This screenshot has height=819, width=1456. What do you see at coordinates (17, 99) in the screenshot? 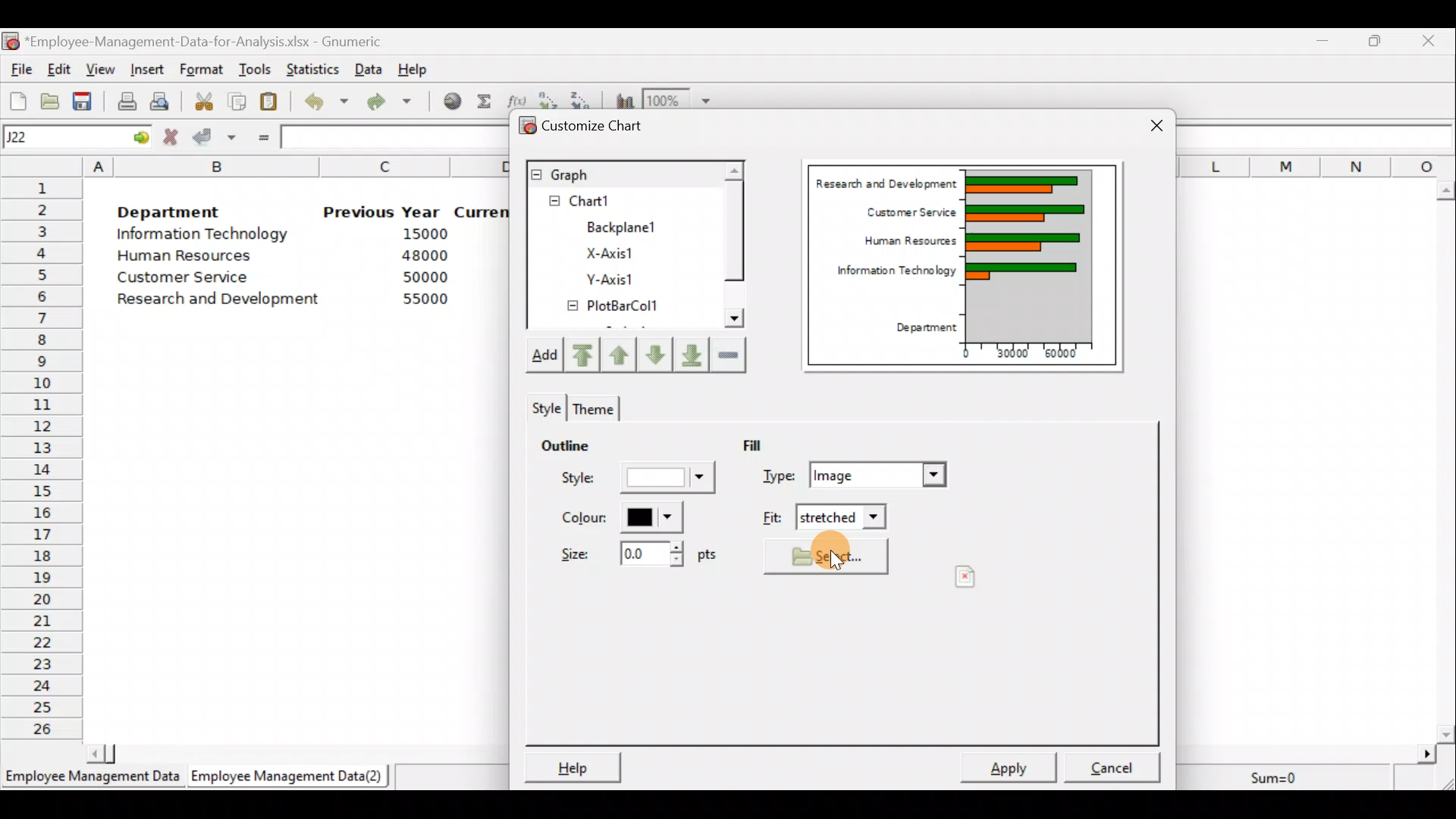
I see `Create a new workbook` at bounding box center [17, 99].